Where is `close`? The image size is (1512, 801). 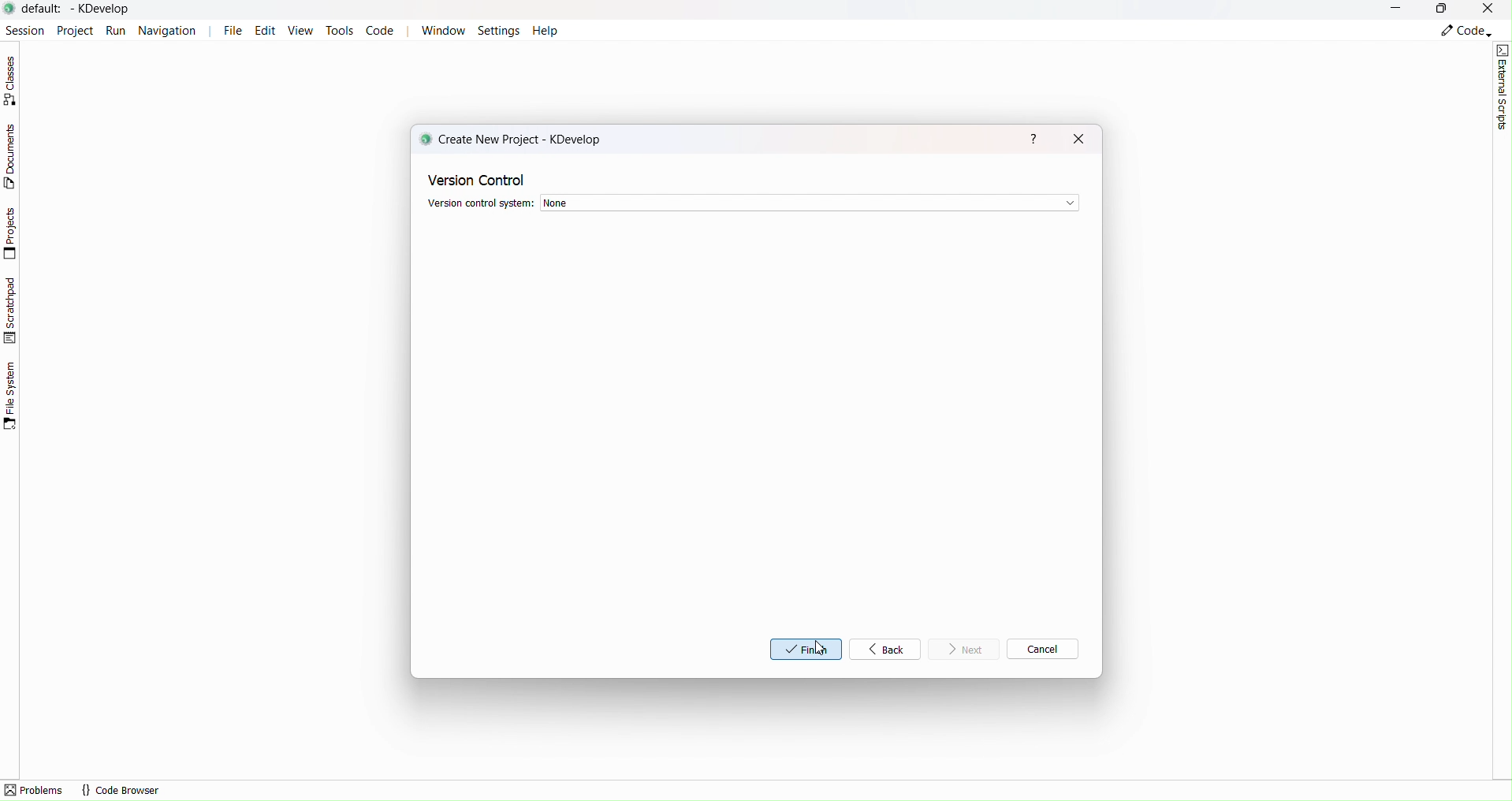
close is located at coordinates (1078, 138).